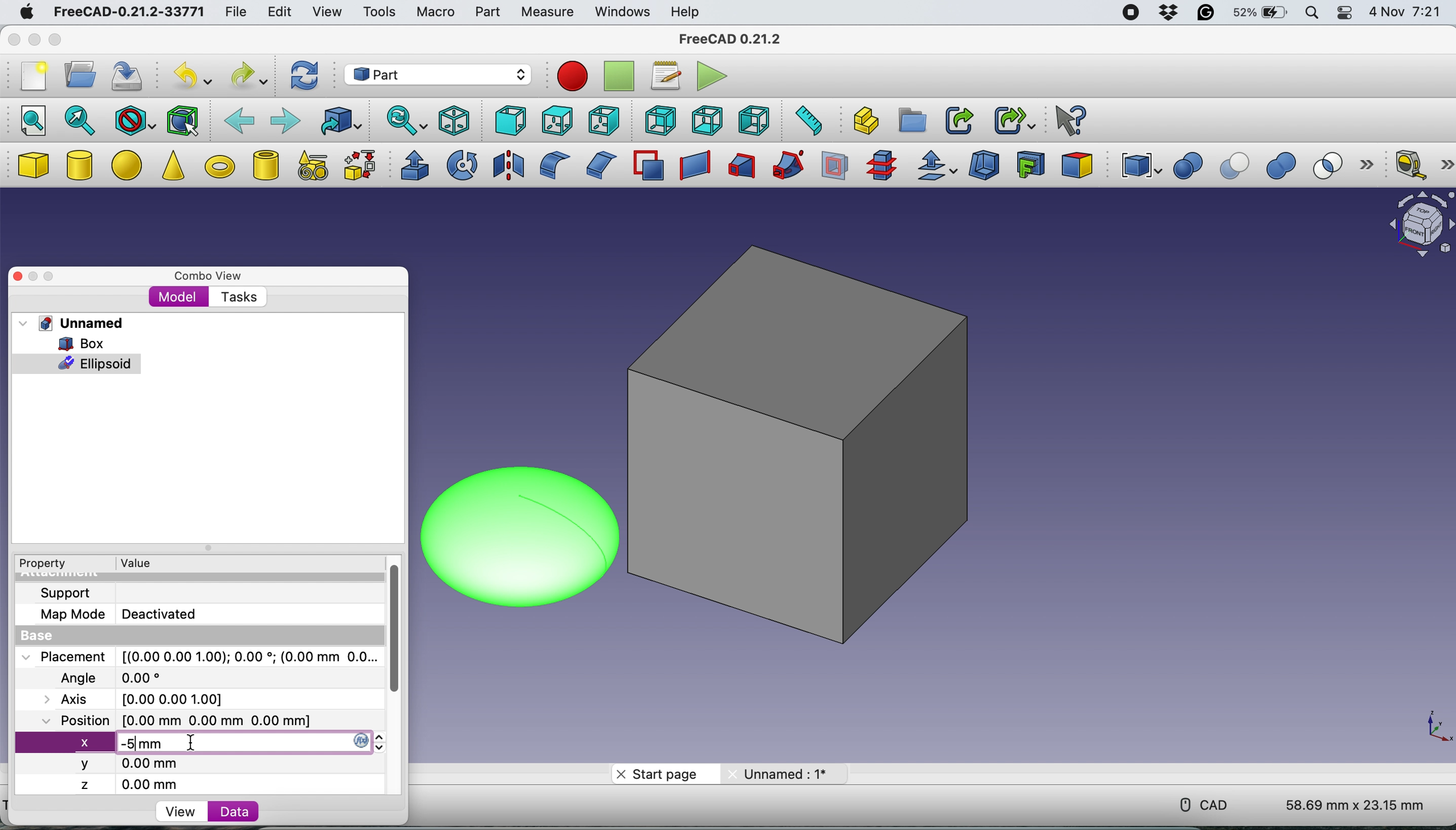 The height and width of the screenshot is (830, 1456). I want to click on section, so click(835, 169).